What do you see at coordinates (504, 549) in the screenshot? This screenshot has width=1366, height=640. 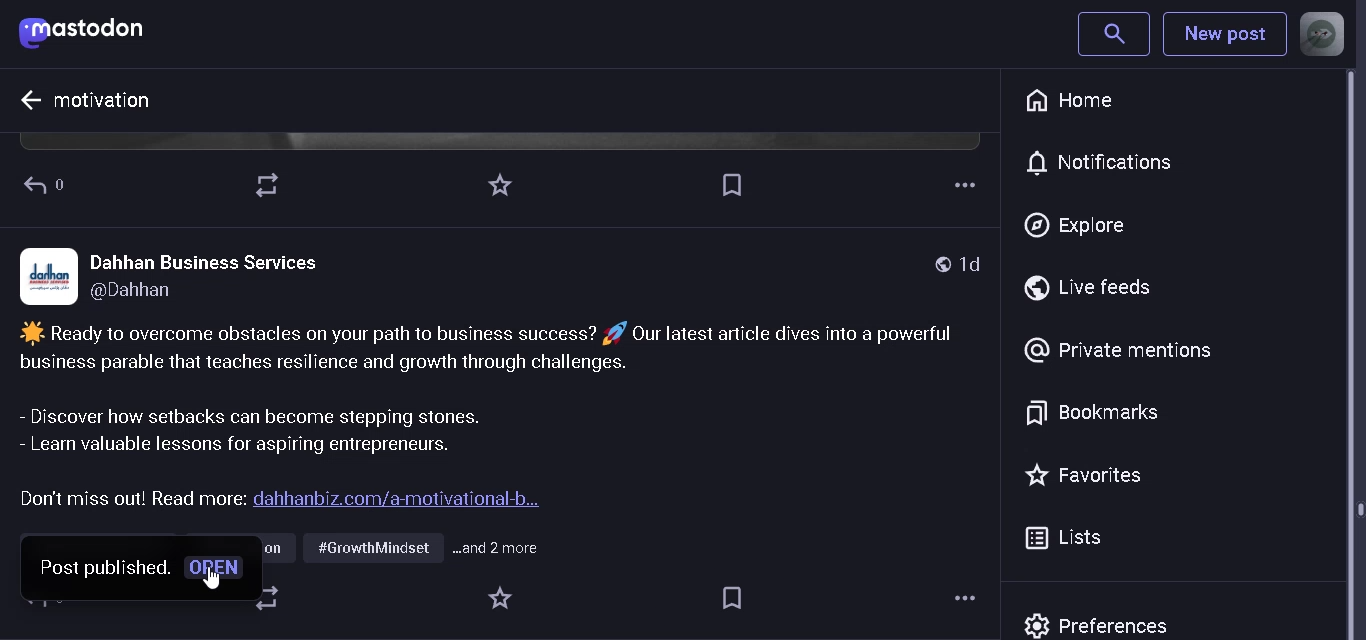 I see `...and 2 more` at bounding box center [504, 549].